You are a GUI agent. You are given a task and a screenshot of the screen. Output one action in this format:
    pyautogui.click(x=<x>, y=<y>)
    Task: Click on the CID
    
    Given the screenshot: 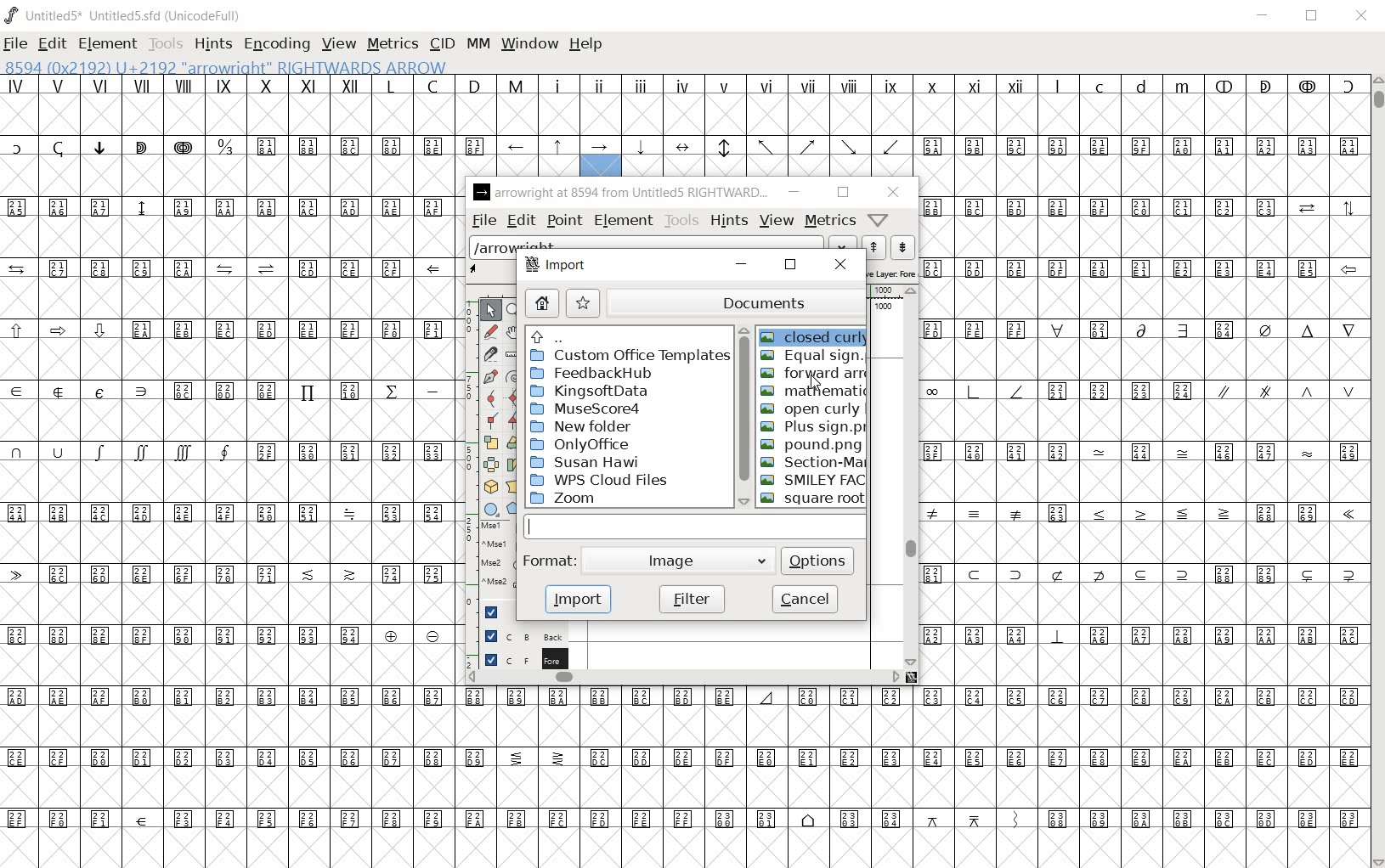 What is the action you would take?
    pyautogui.click(x=442, y=44)
    